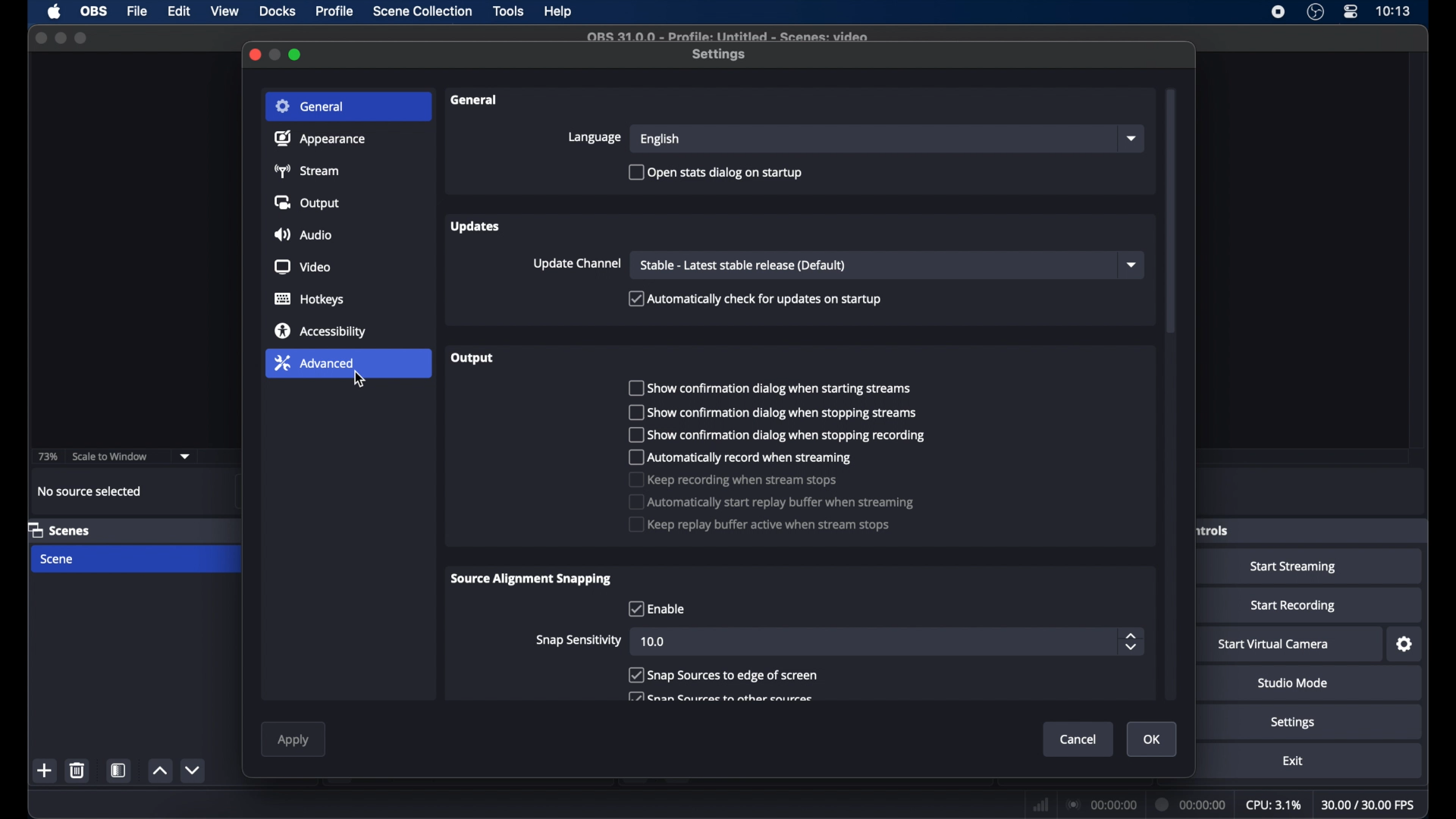 The width and height of the screenshot is (1456, 819). I want to click on connection, so click(1100, 804).